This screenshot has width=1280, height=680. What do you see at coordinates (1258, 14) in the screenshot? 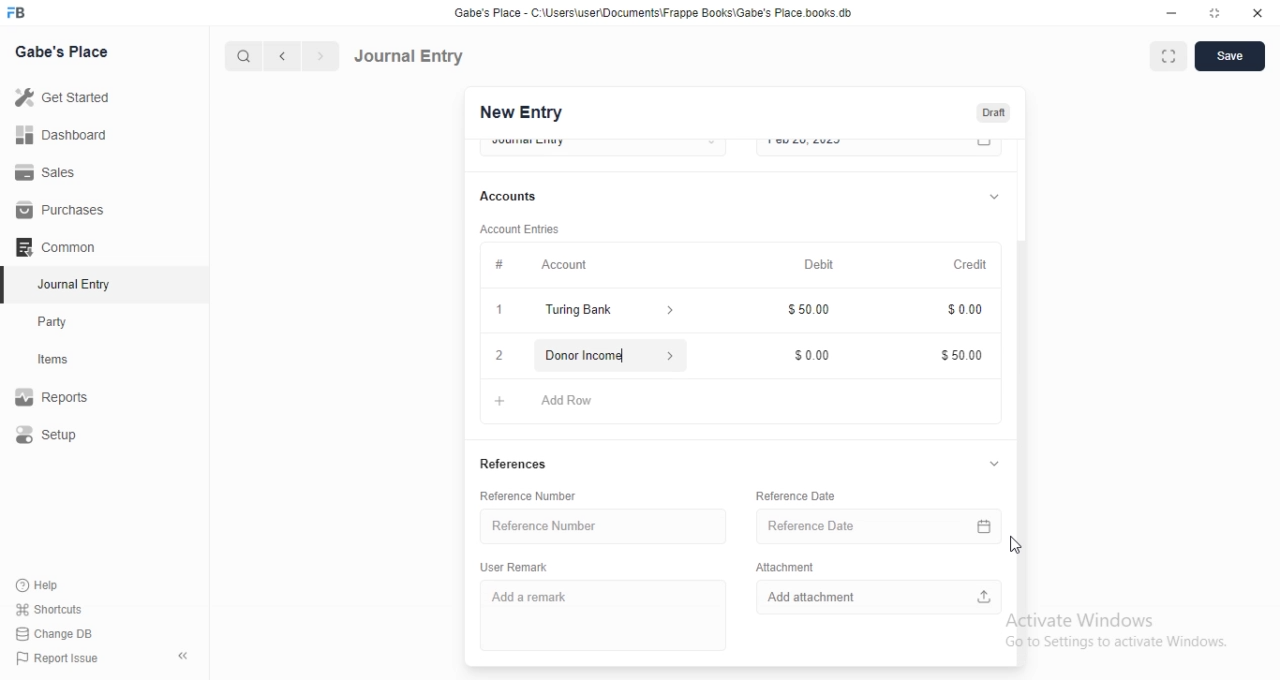
I see `close` at bounding box center [1258, 14].